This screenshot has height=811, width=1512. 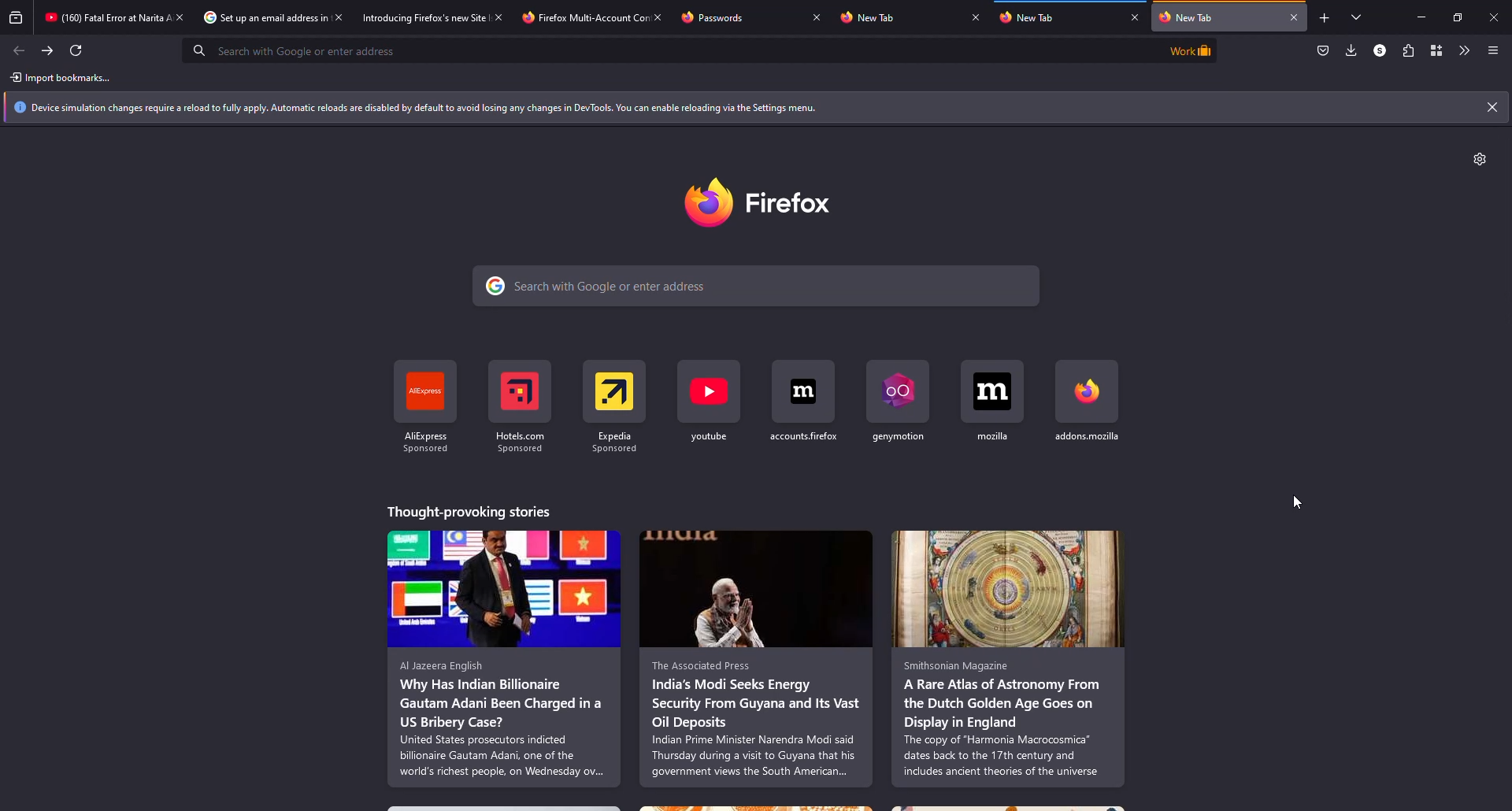 I want to click on close, so click(x=497, y=17).